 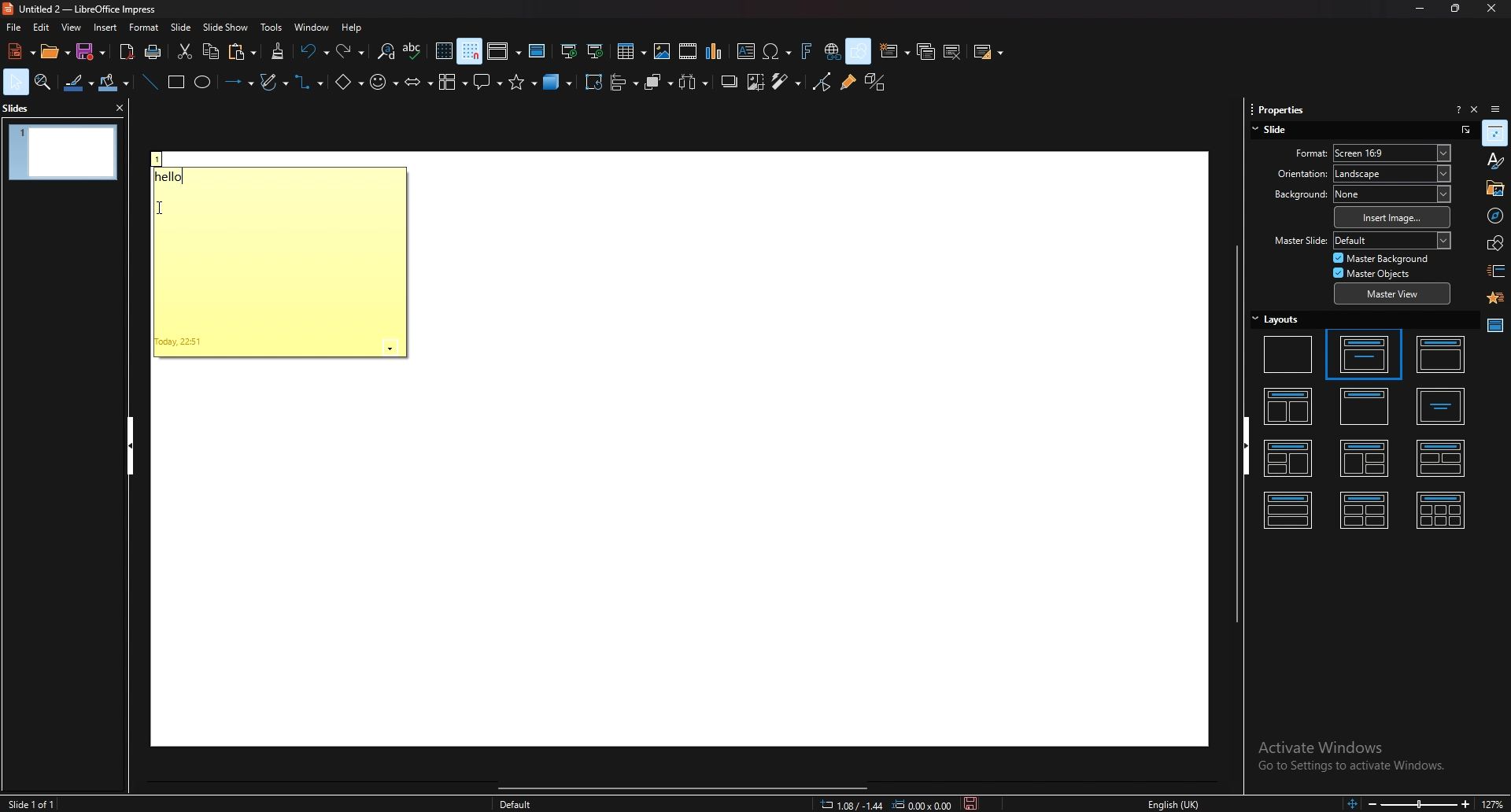 I want to click on select, so click(x=16, y=81).